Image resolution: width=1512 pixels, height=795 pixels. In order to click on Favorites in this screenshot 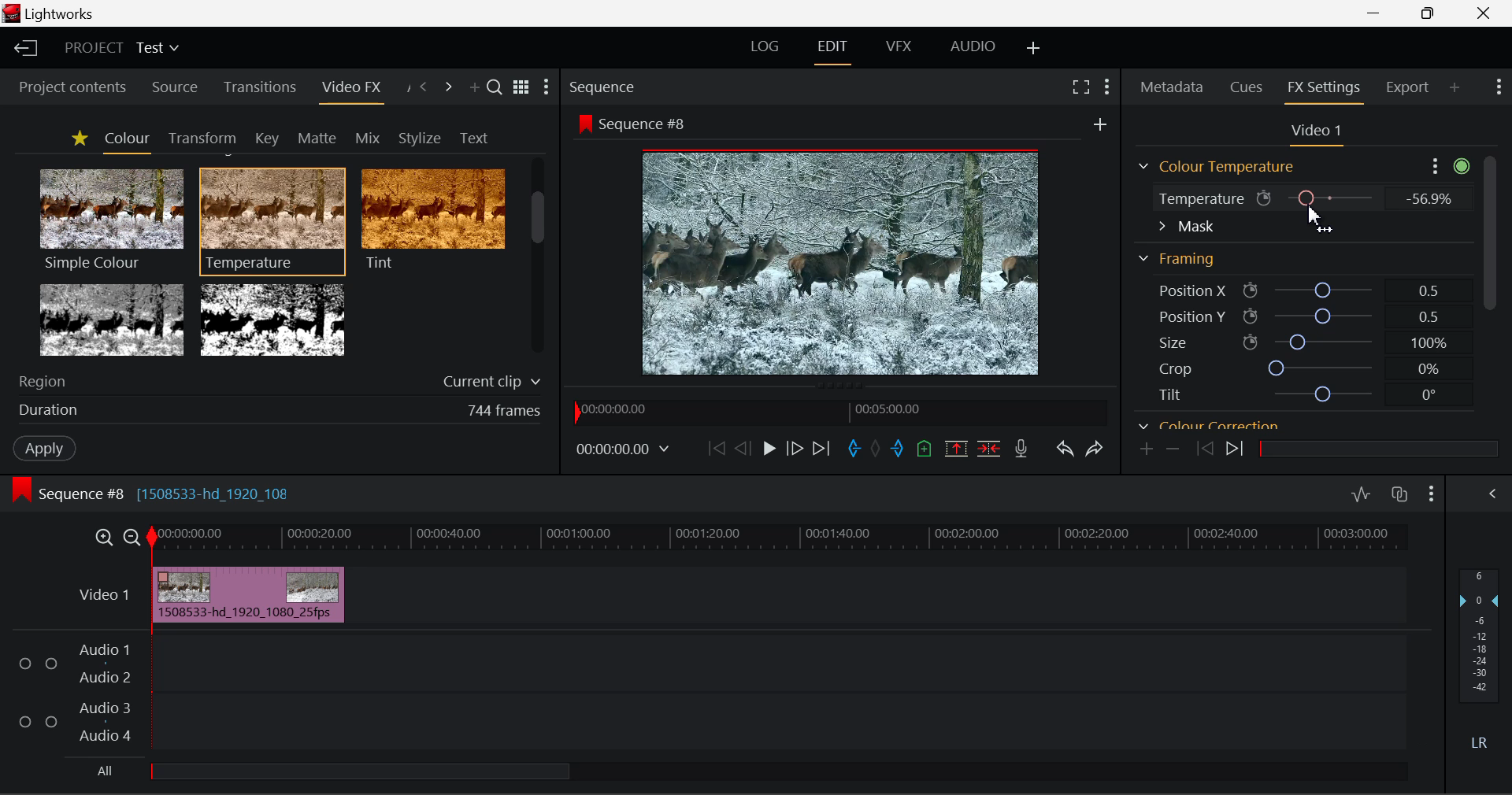, I will do `click(77, 139)`.